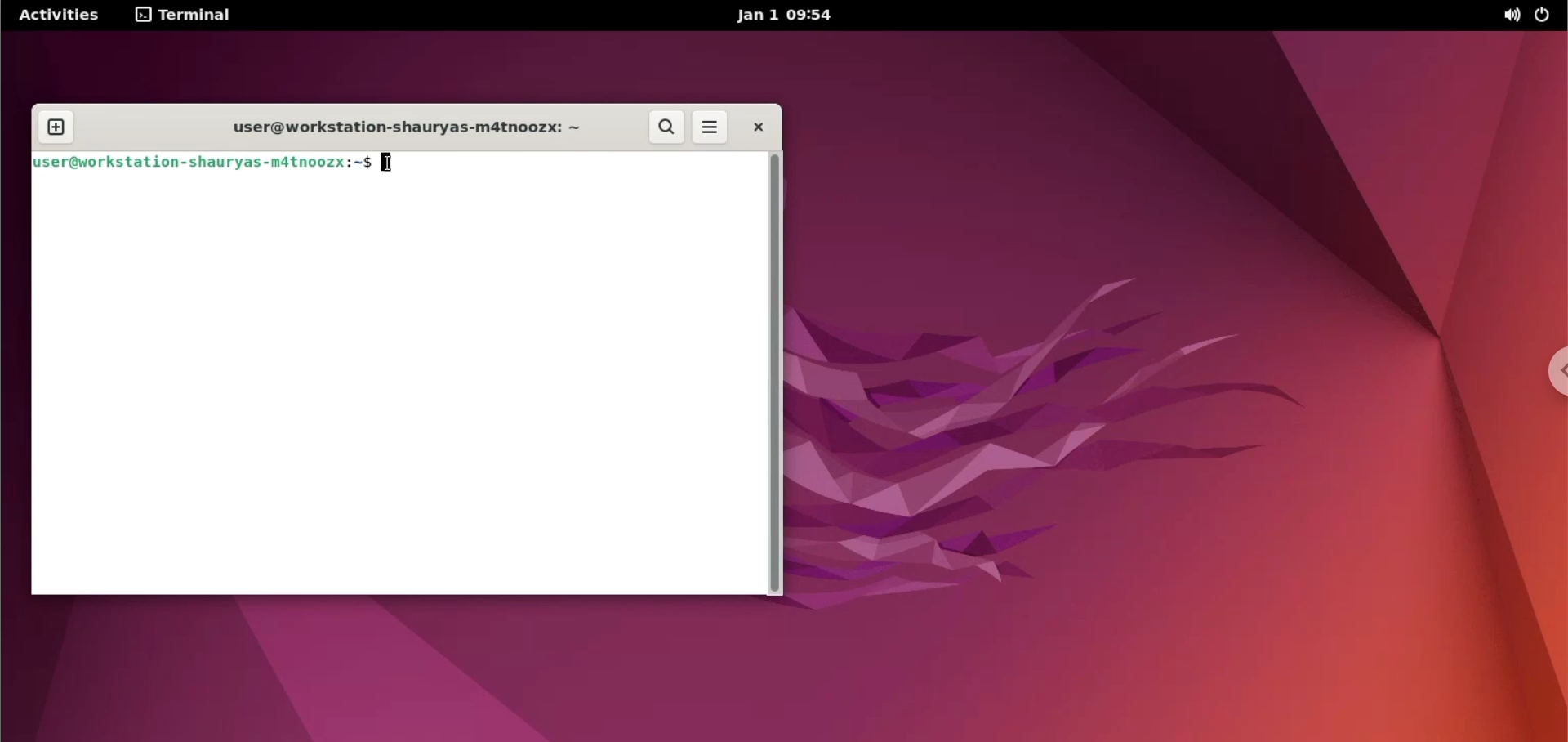 The height and width of the screenshot is (742, 1568). I want to click on new tab, so click(58, 124).